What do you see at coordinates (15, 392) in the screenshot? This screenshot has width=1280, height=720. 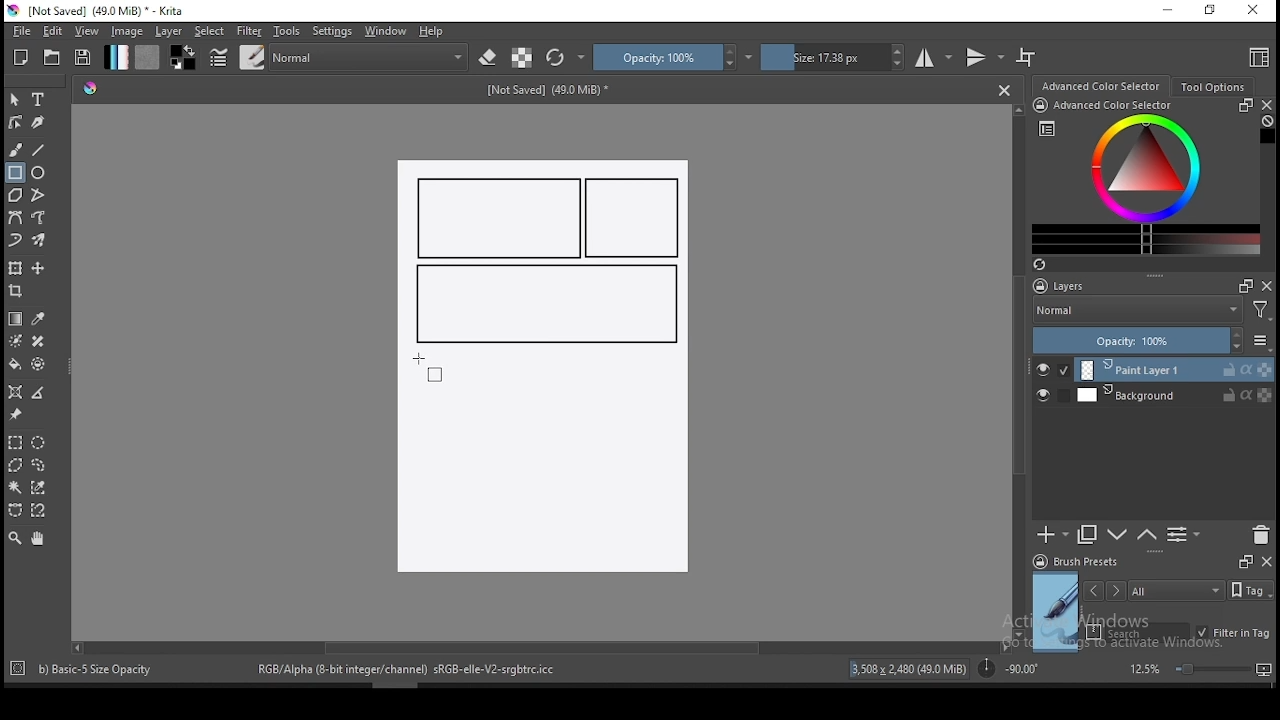 I see `assistant tool` at bounding box center [15, 392].